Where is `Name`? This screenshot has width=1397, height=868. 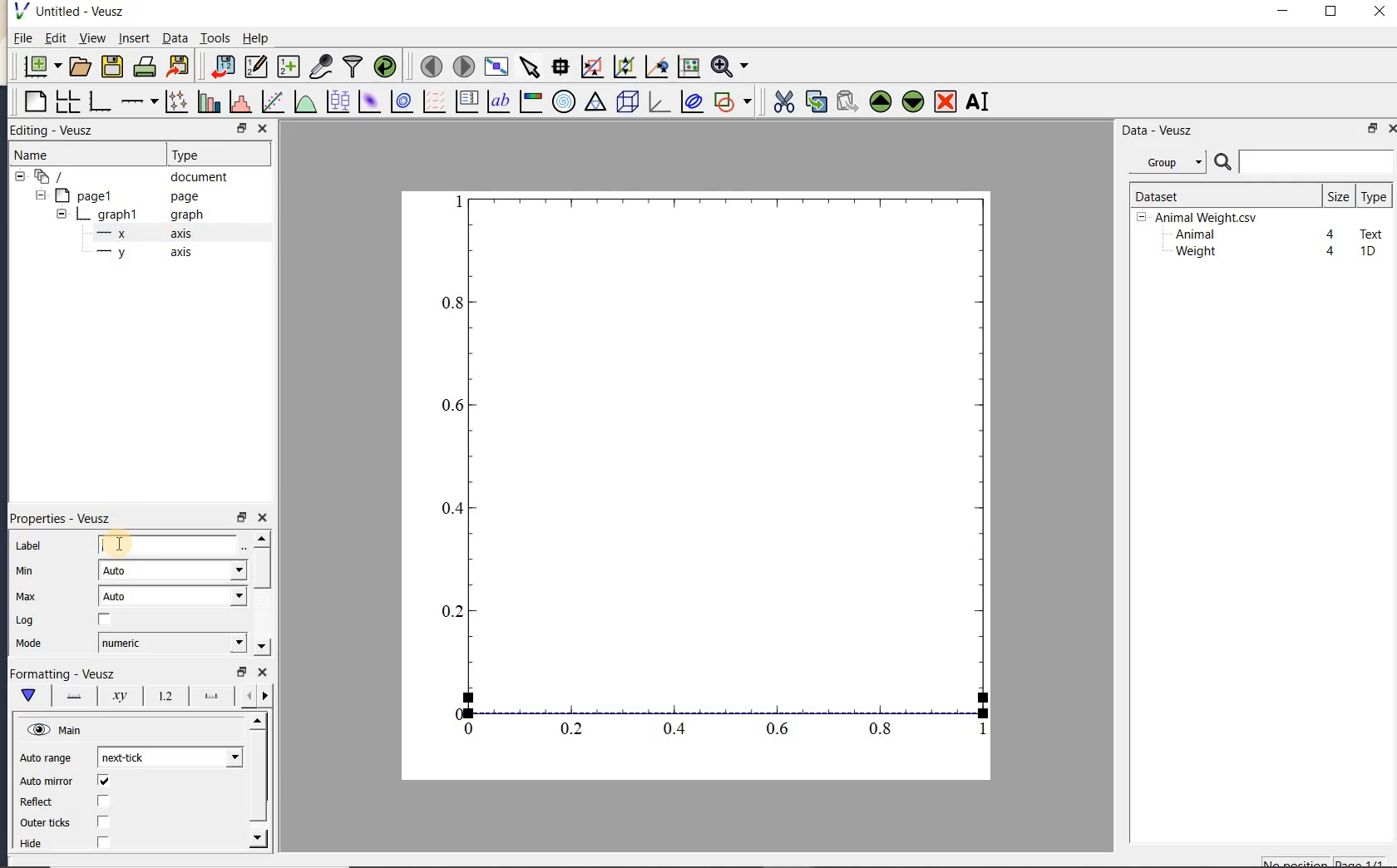 Name is located at coordinates (49, 155).